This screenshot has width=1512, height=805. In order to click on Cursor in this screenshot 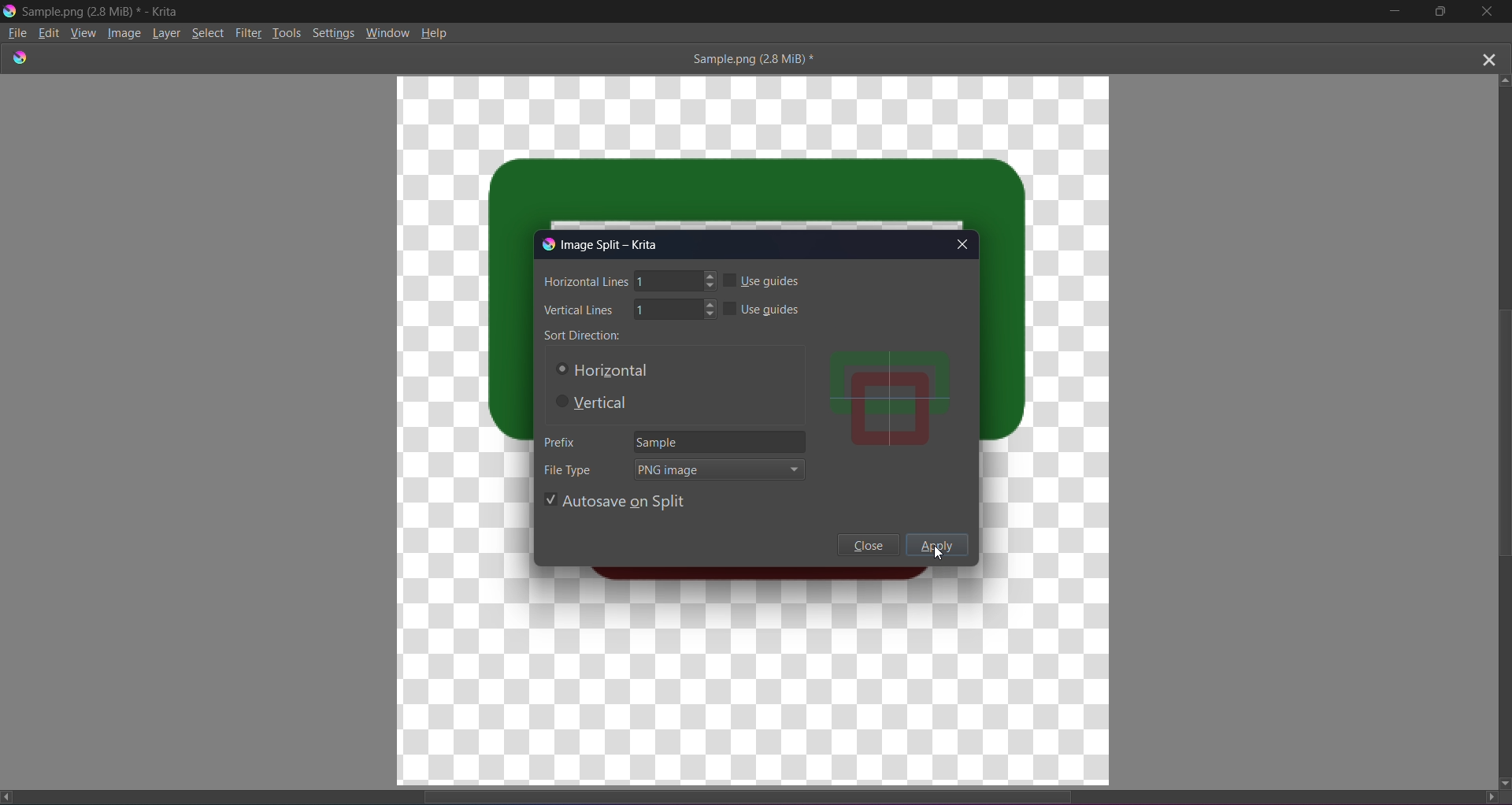, I will do `click(941, 555)`.